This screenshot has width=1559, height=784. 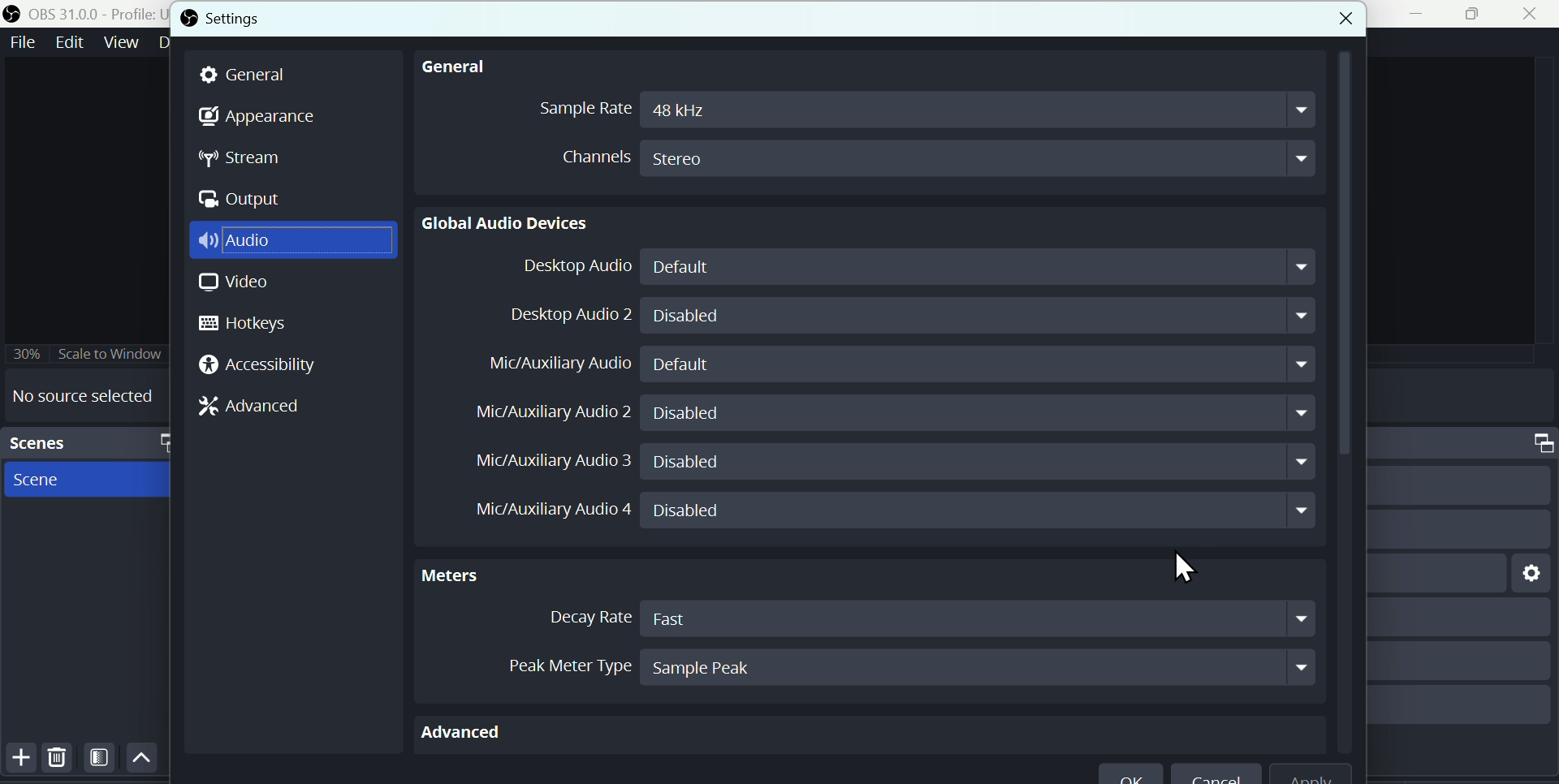 I want to click on close, so click(x=1328, y=15).